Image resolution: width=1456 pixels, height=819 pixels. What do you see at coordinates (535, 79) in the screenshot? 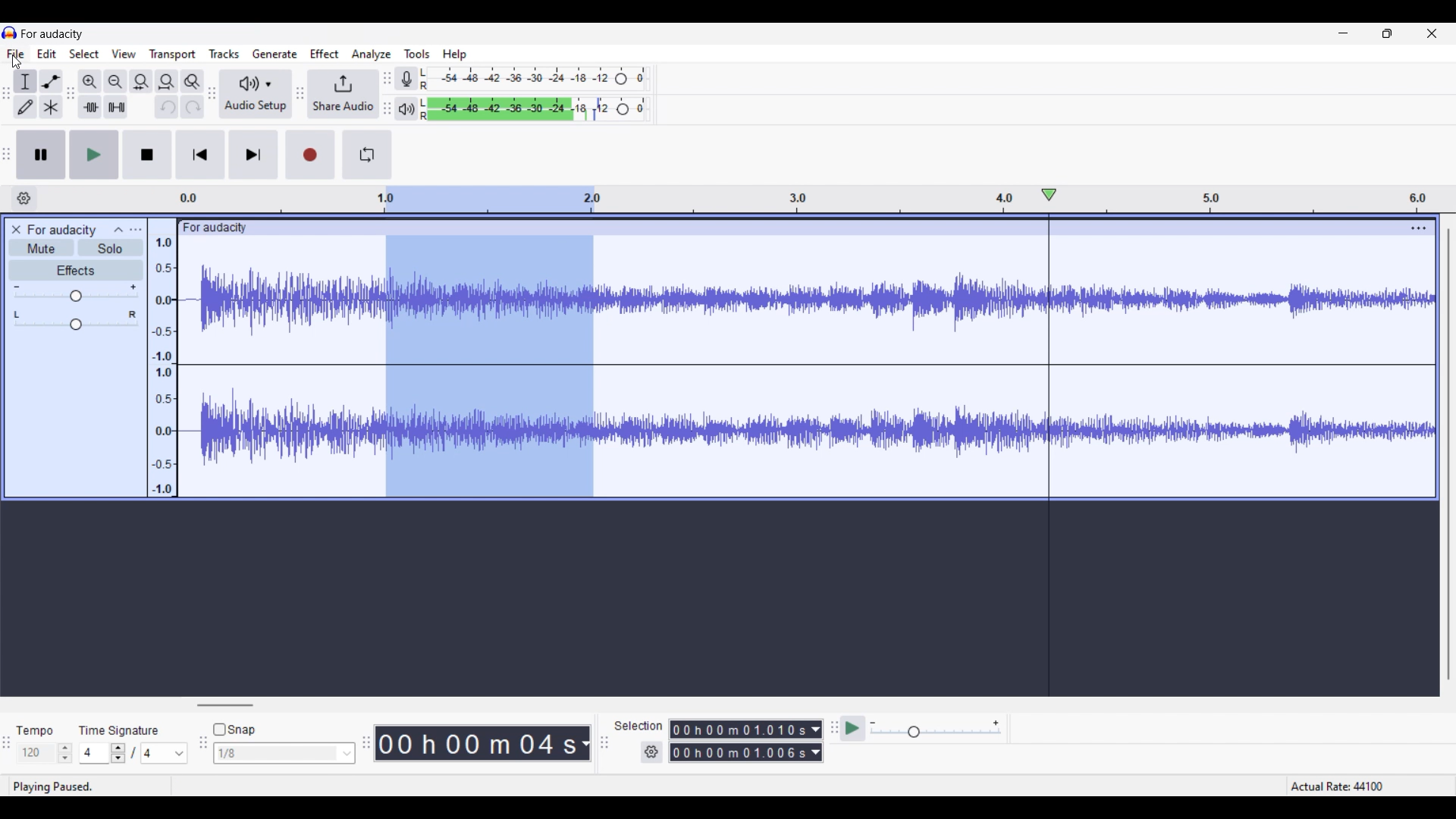
I see `Recording level` at bounding box center [535, 79].